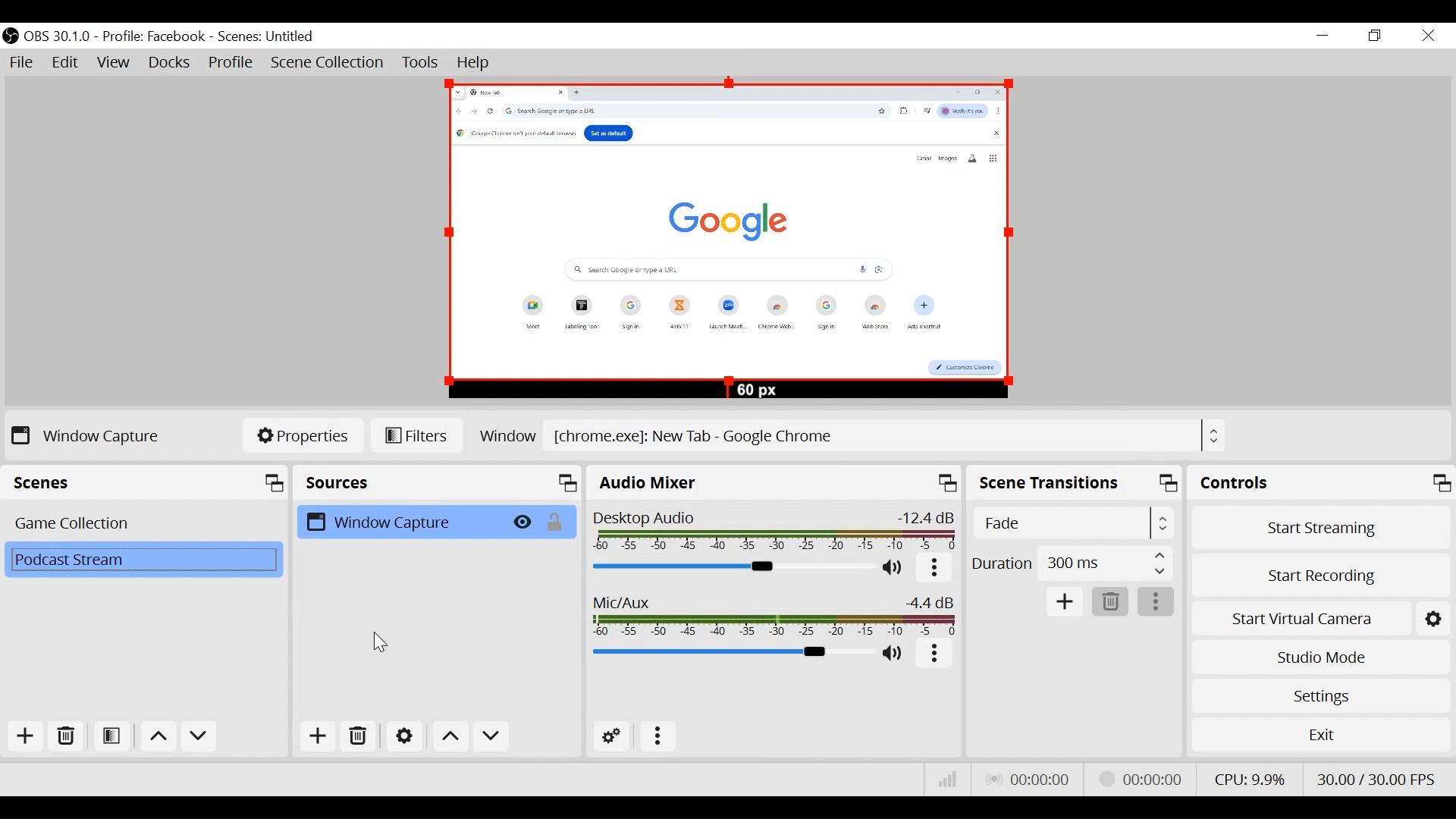 This screenshot has height=819, width=1456. Describe the element at coordinates (1377, 778) in the screenshot. I see `Frame Per Second` at that location.